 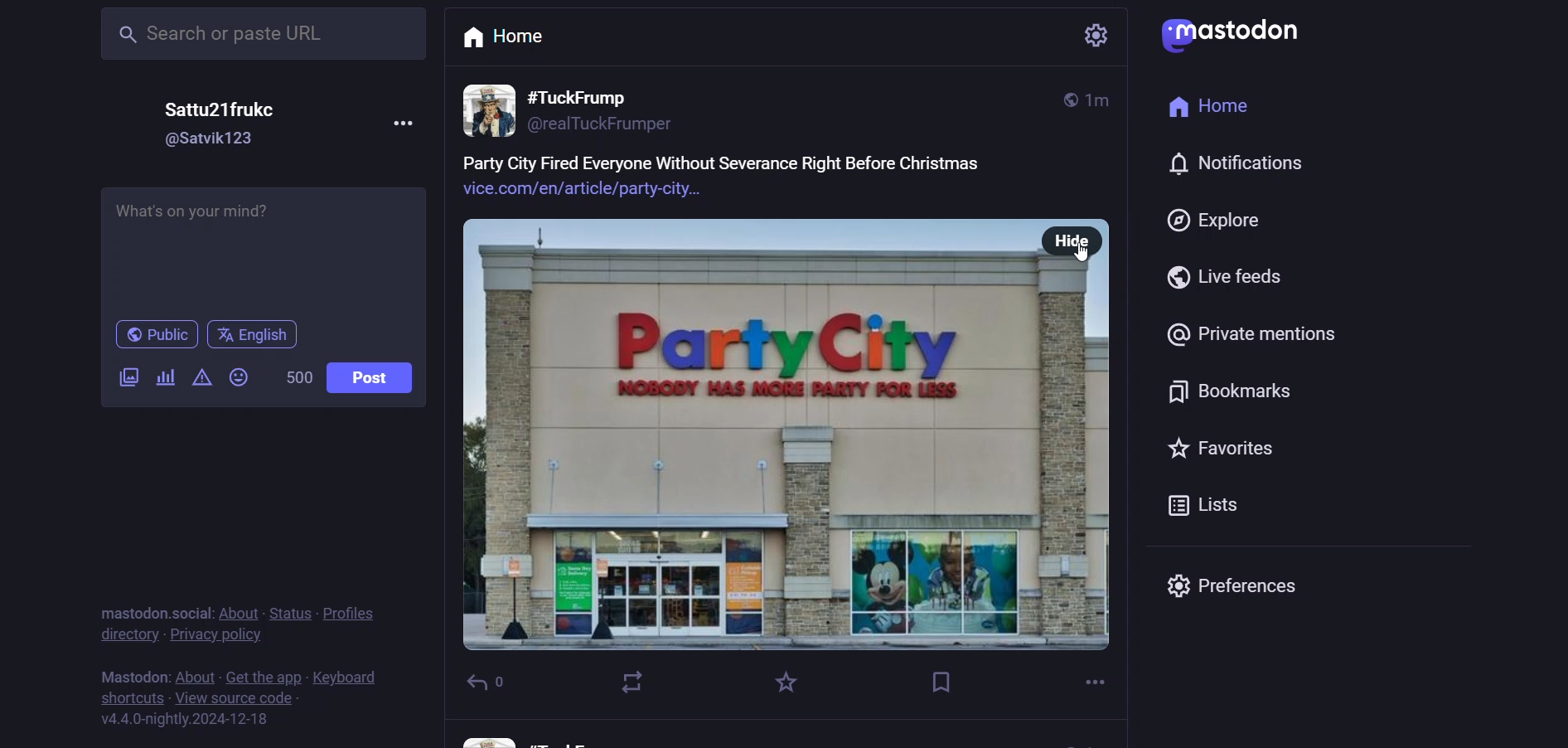 What do you see at coordinates (1091, 37) in the screenshot?
I see `Setting` at bounding box center [1091, 37].